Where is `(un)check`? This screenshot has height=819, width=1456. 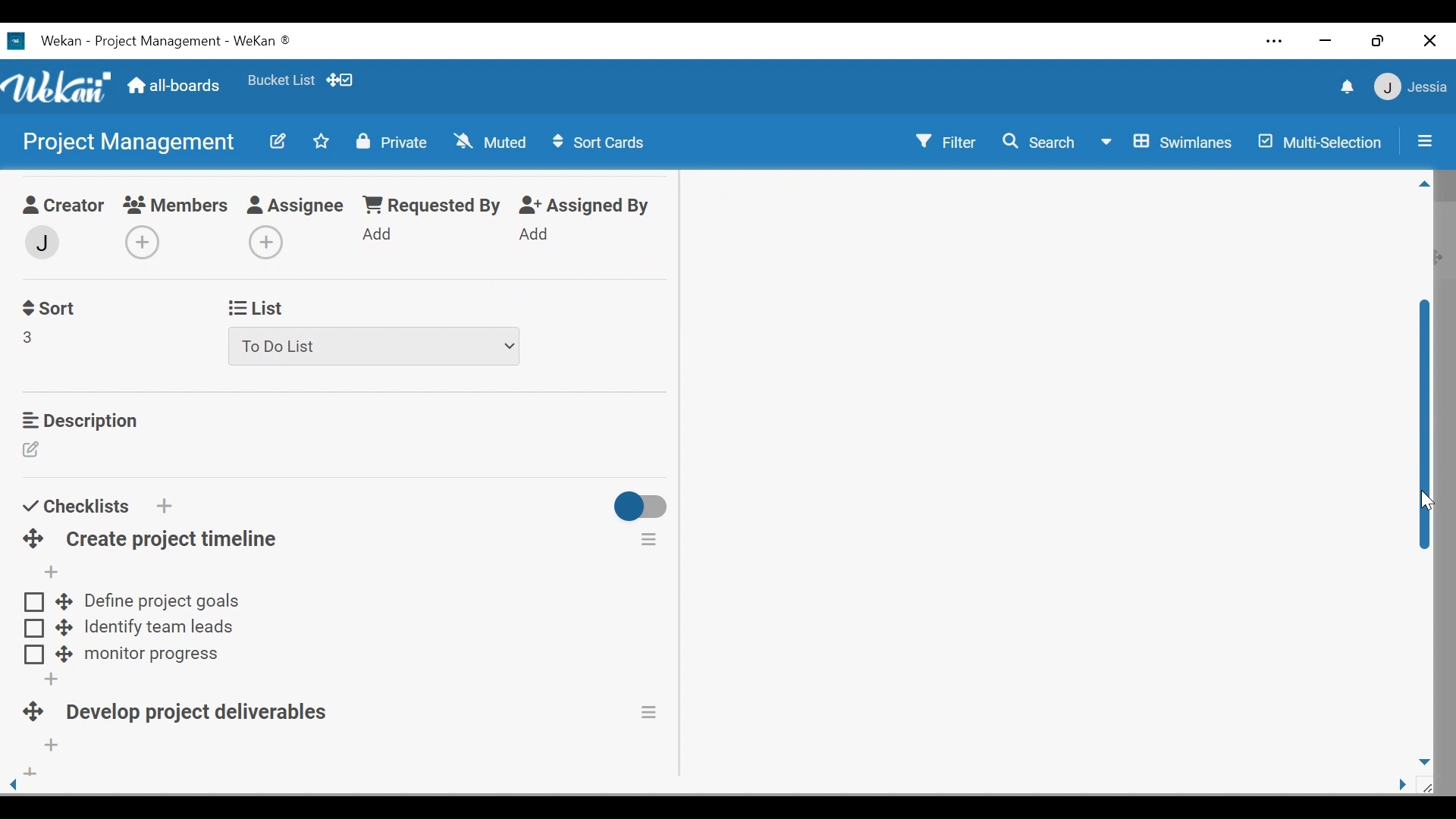 (un)check is located at coordinates (34, 655).